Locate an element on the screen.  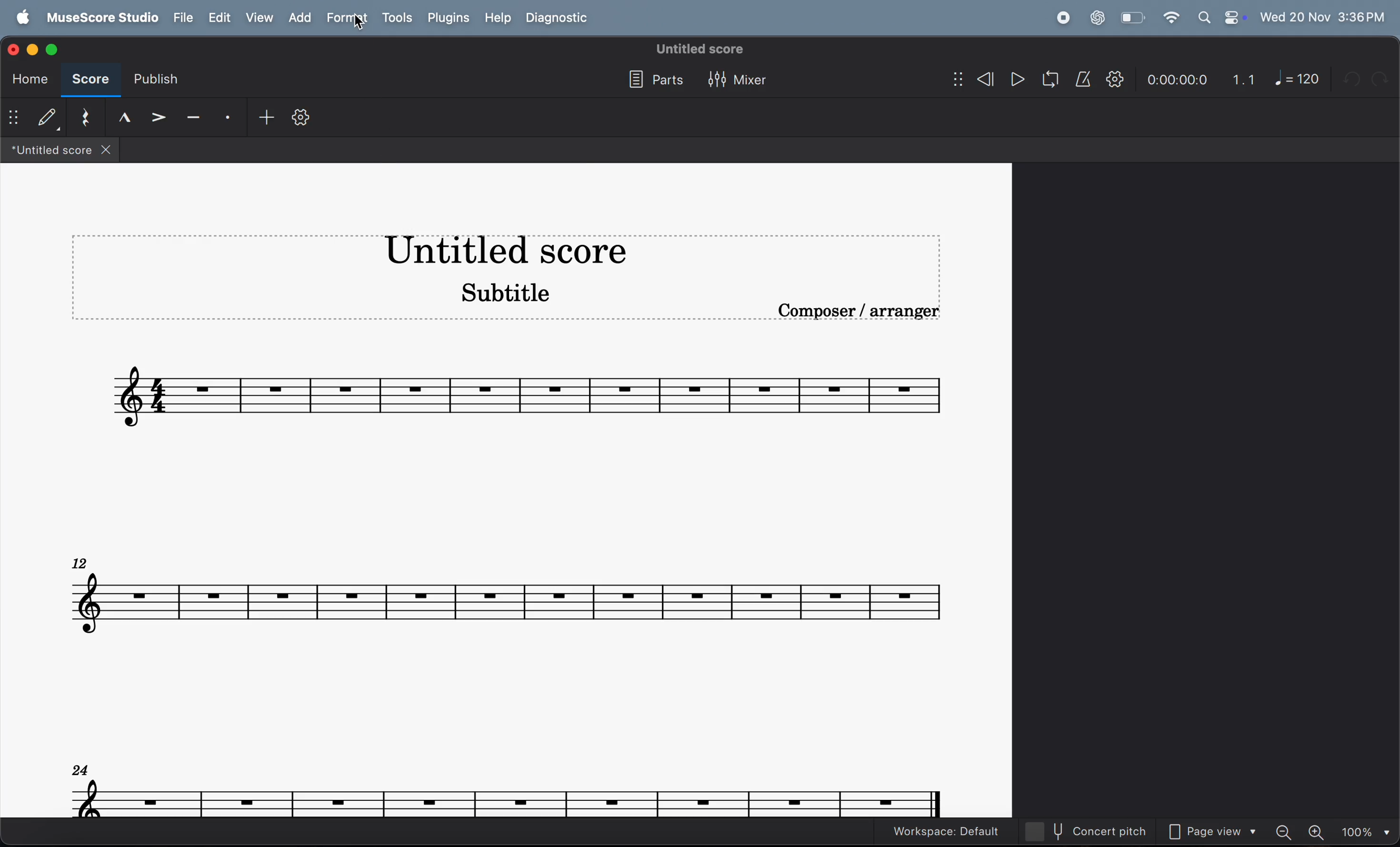
 is located at coordinates (1013, 80).